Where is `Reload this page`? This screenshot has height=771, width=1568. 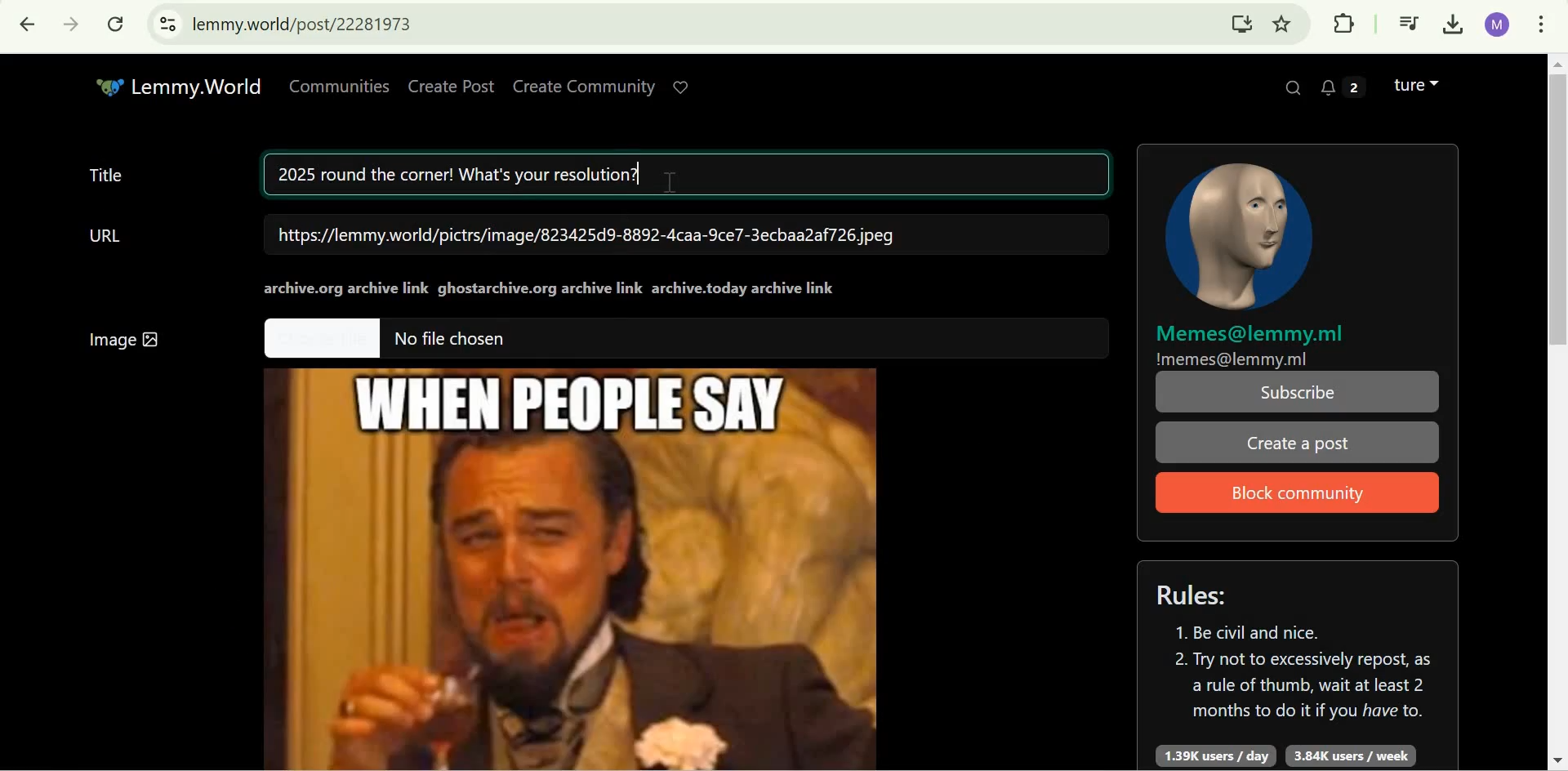
Reload this page is located at coordinates (118, 24).